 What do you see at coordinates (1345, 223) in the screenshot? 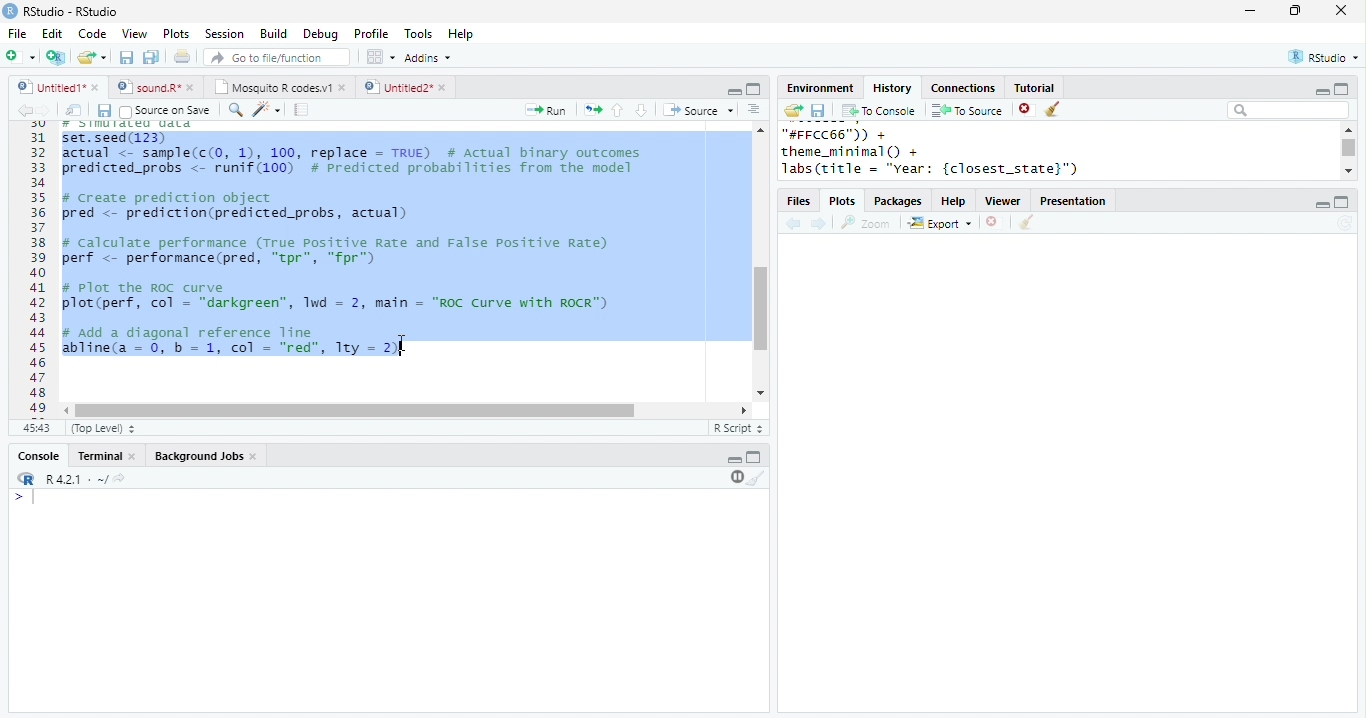
I see `refresh` at bounding box center [1345, 223].